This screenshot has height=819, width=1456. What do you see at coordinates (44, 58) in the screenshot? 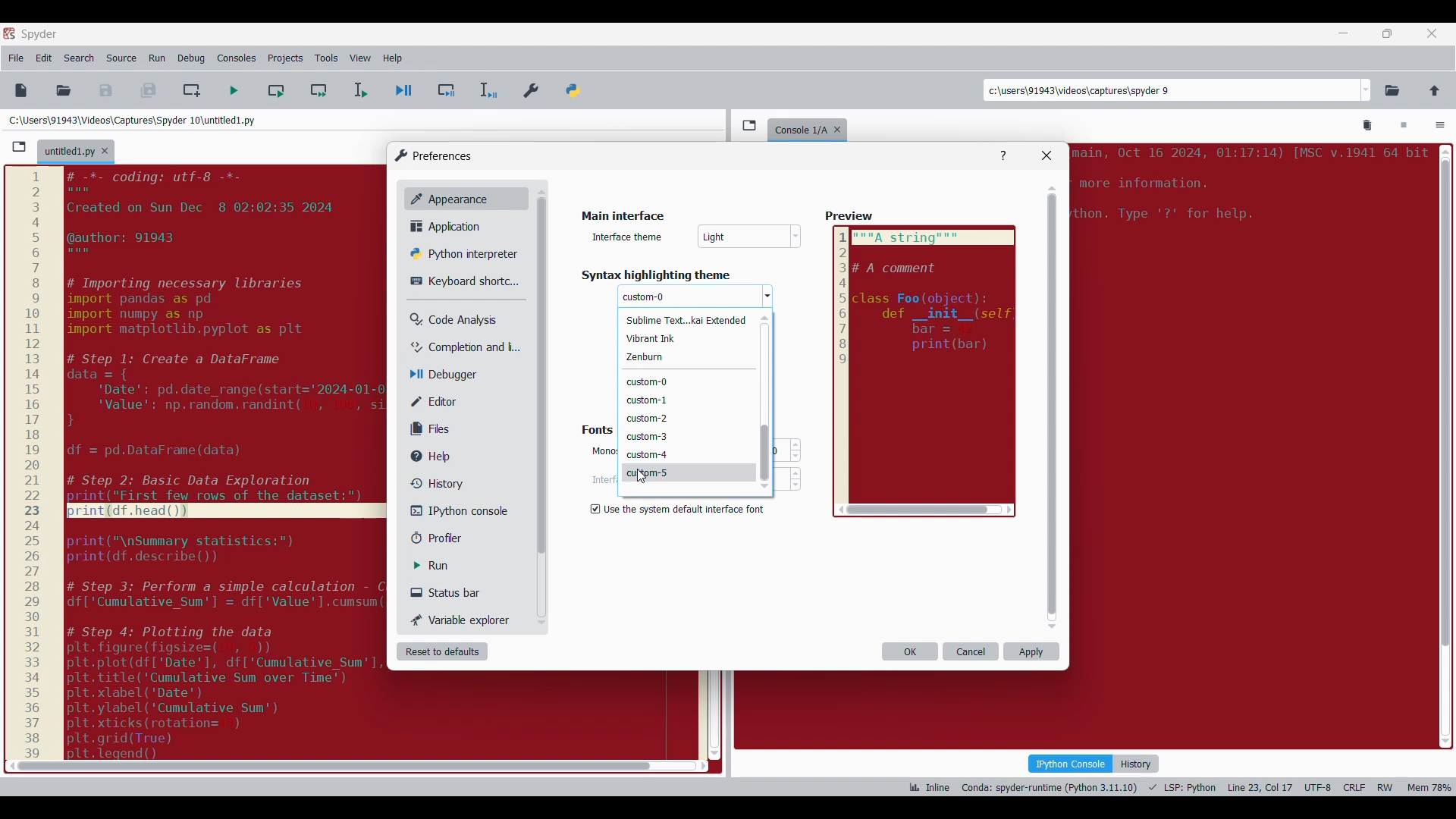
I see `Edit menu` at bounding box center [44, 58].